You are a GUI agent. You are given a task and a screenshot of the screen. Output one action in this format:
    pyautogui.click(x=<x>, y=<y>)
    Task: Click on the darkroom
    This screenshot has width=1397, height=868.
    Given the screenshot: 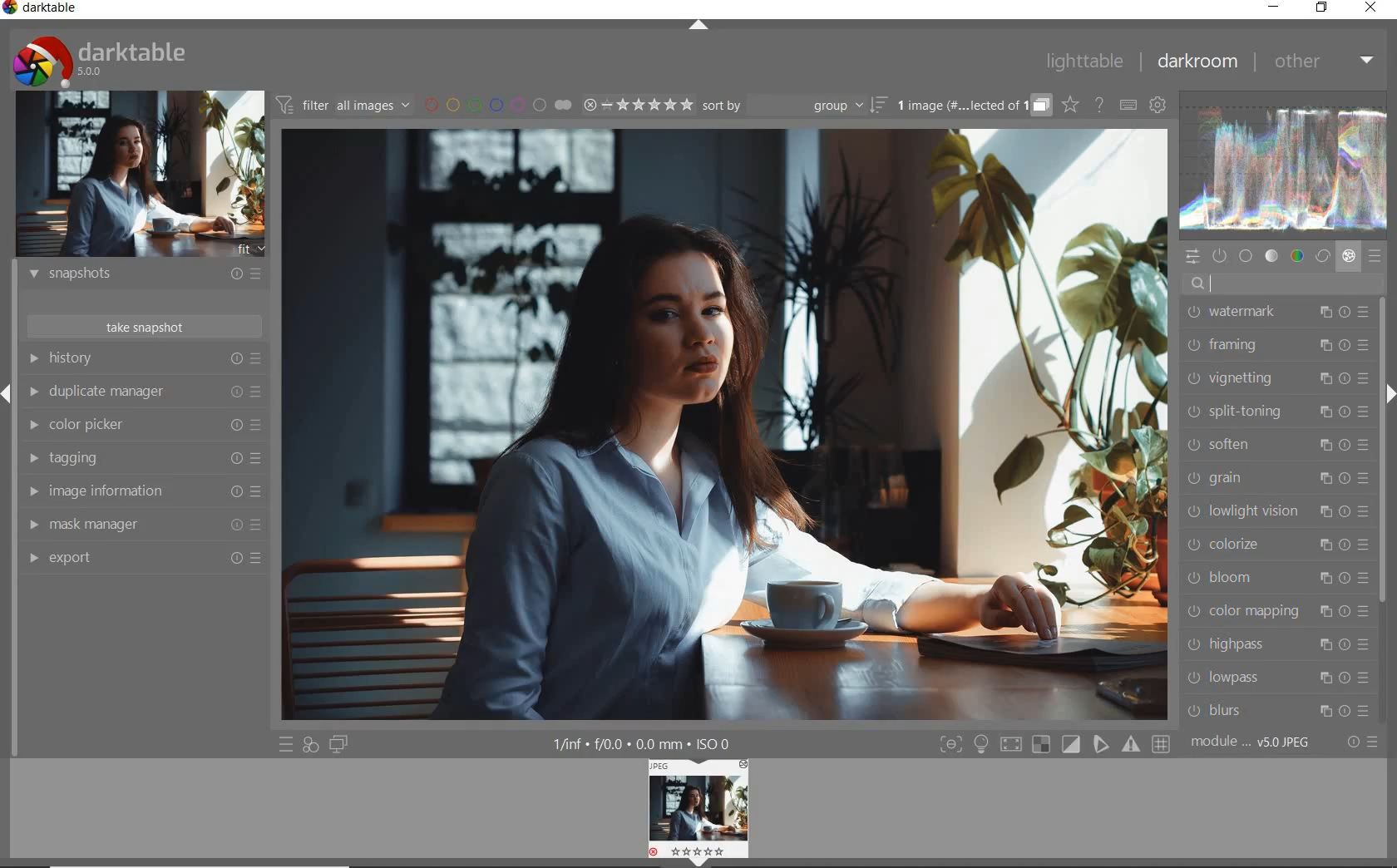 What is the action you would take?
    pyautogui.click(x=1199, y=62)
    